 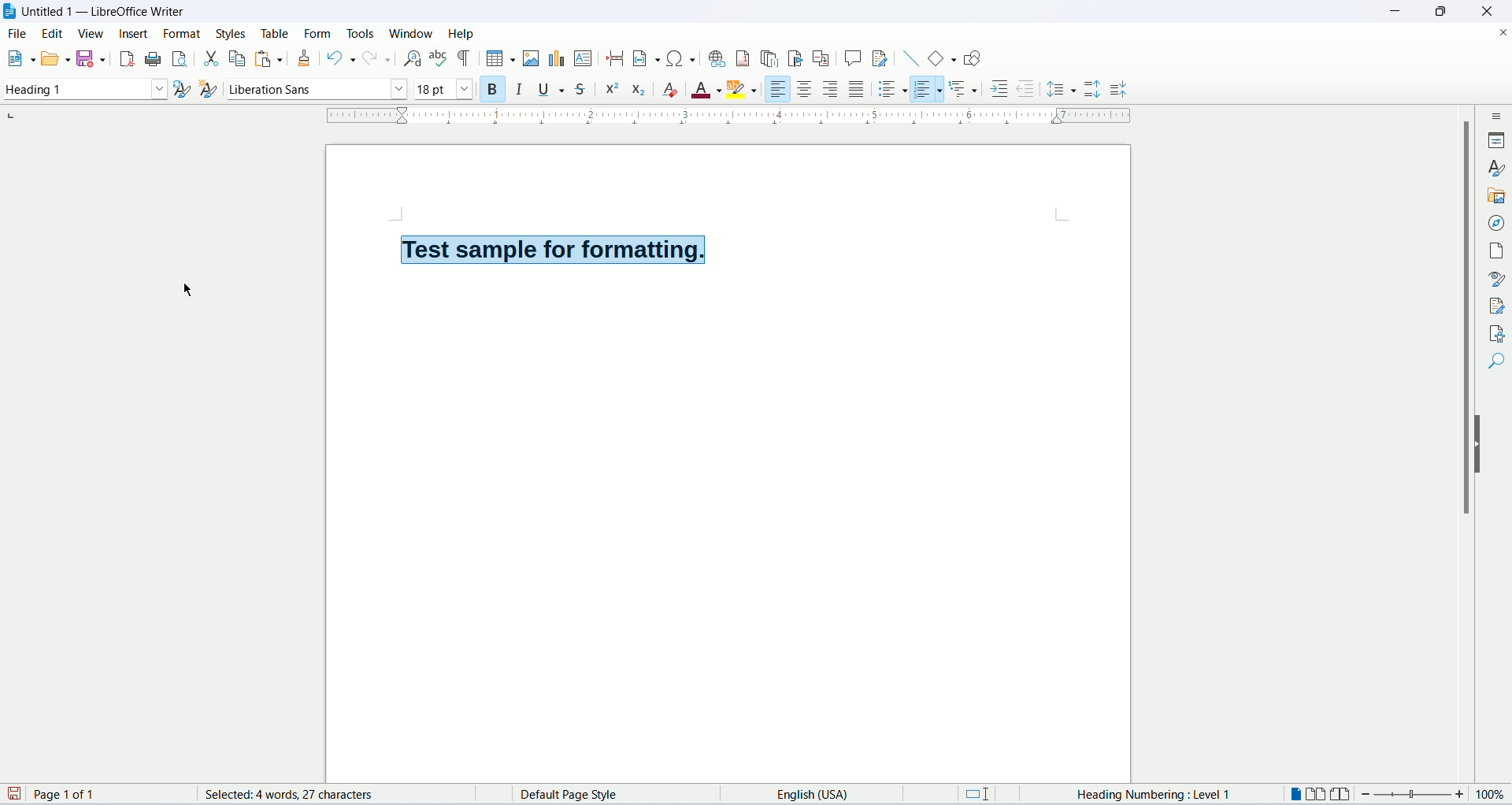 I want to click on italics, so click(x=518, y=91).